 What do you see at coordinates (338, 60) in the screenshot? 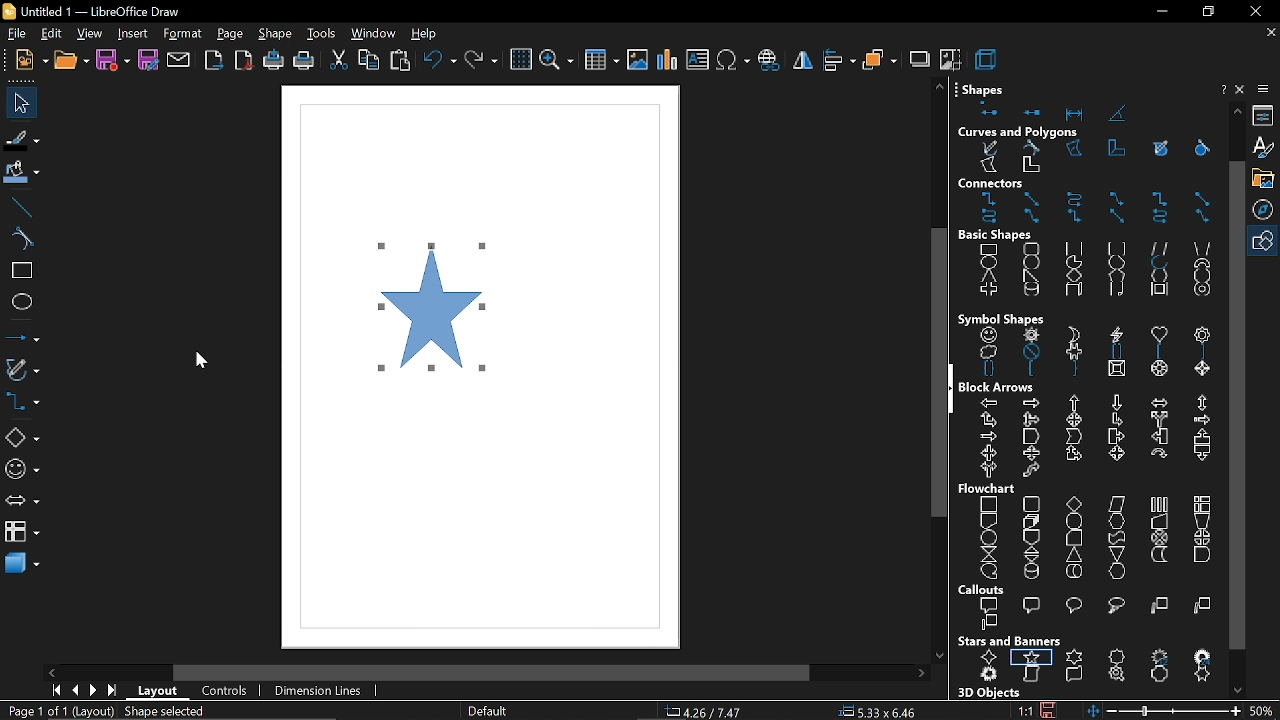
I see `cut ` at bounding box center [338, 60].